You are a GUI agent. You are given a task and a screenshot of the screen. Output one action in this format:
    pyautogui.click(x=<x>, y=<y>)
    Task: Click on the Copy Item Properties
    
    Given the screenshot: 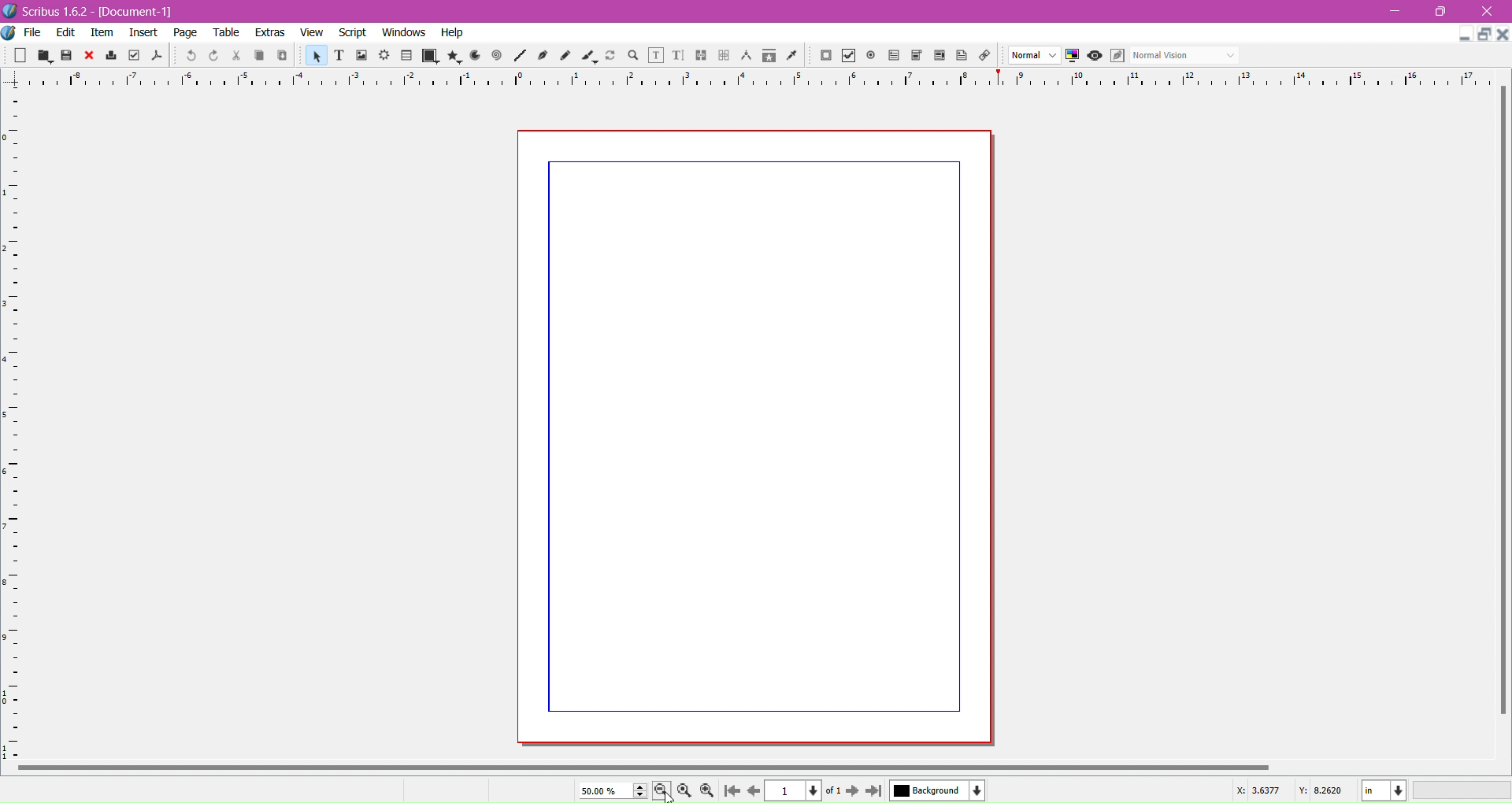 What is the action you would take?
    pyautogui.click(x=768, y=56)
    